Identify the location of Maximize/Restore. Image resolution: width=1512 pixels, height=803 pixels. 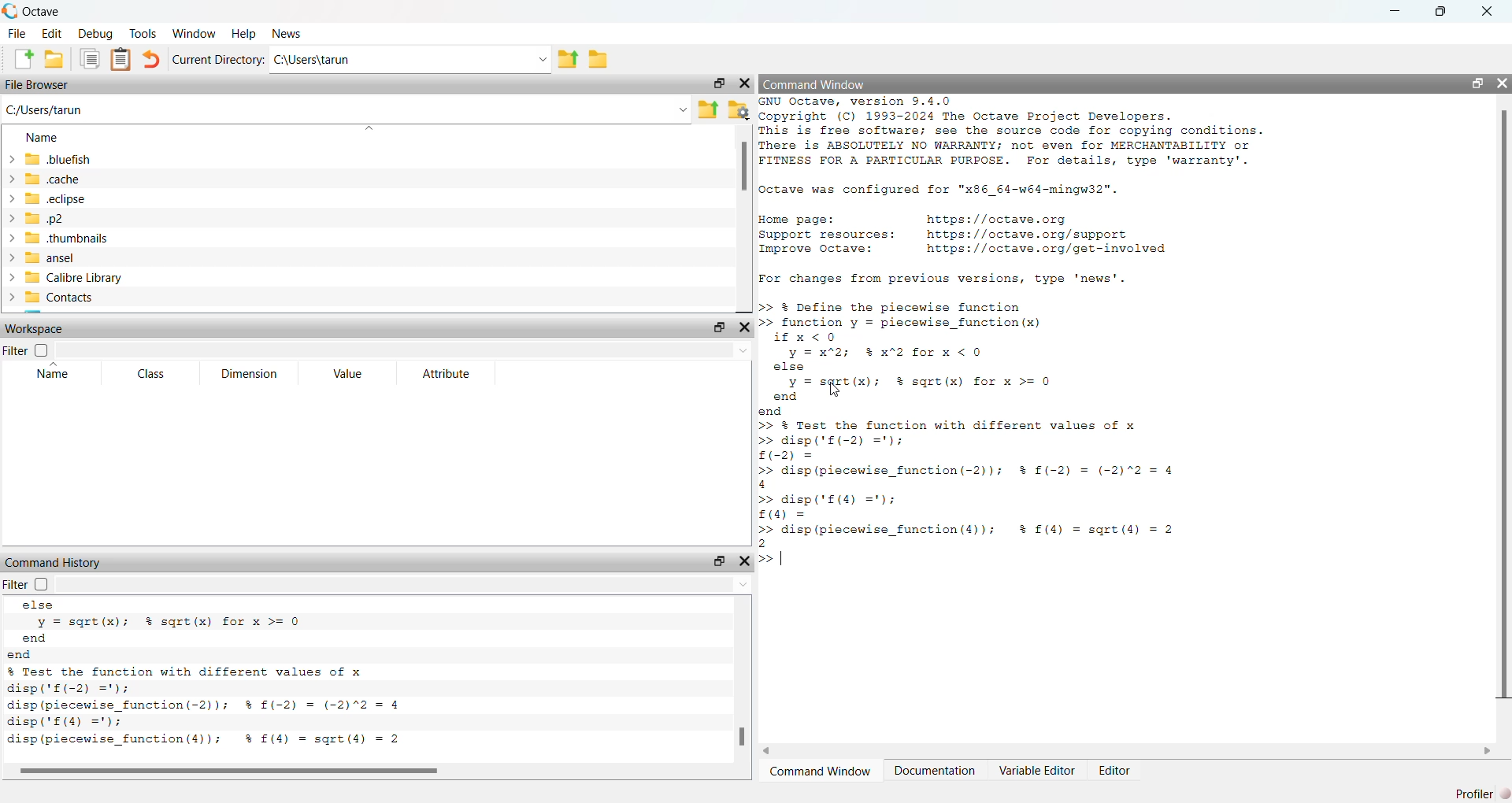
(717, 561).